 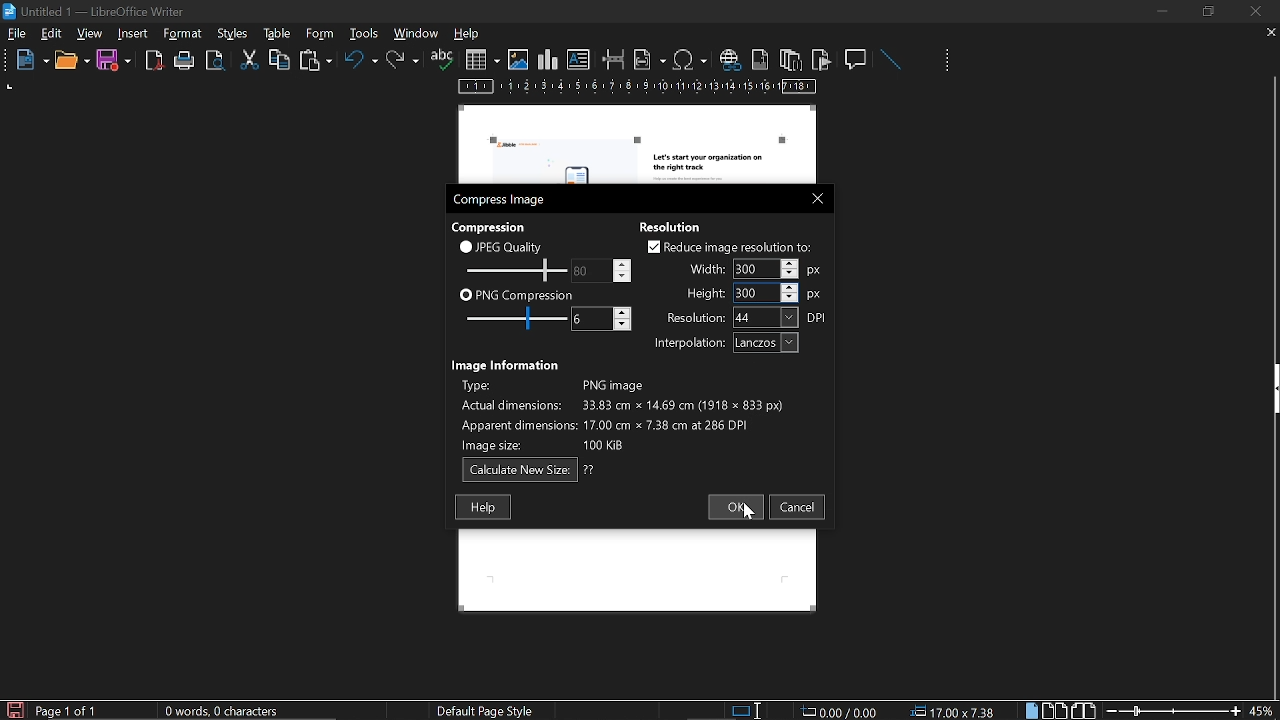 What do you see at coordinates (470, 35) in the screenshot?
I see `help` at bounding box center [470, 35].